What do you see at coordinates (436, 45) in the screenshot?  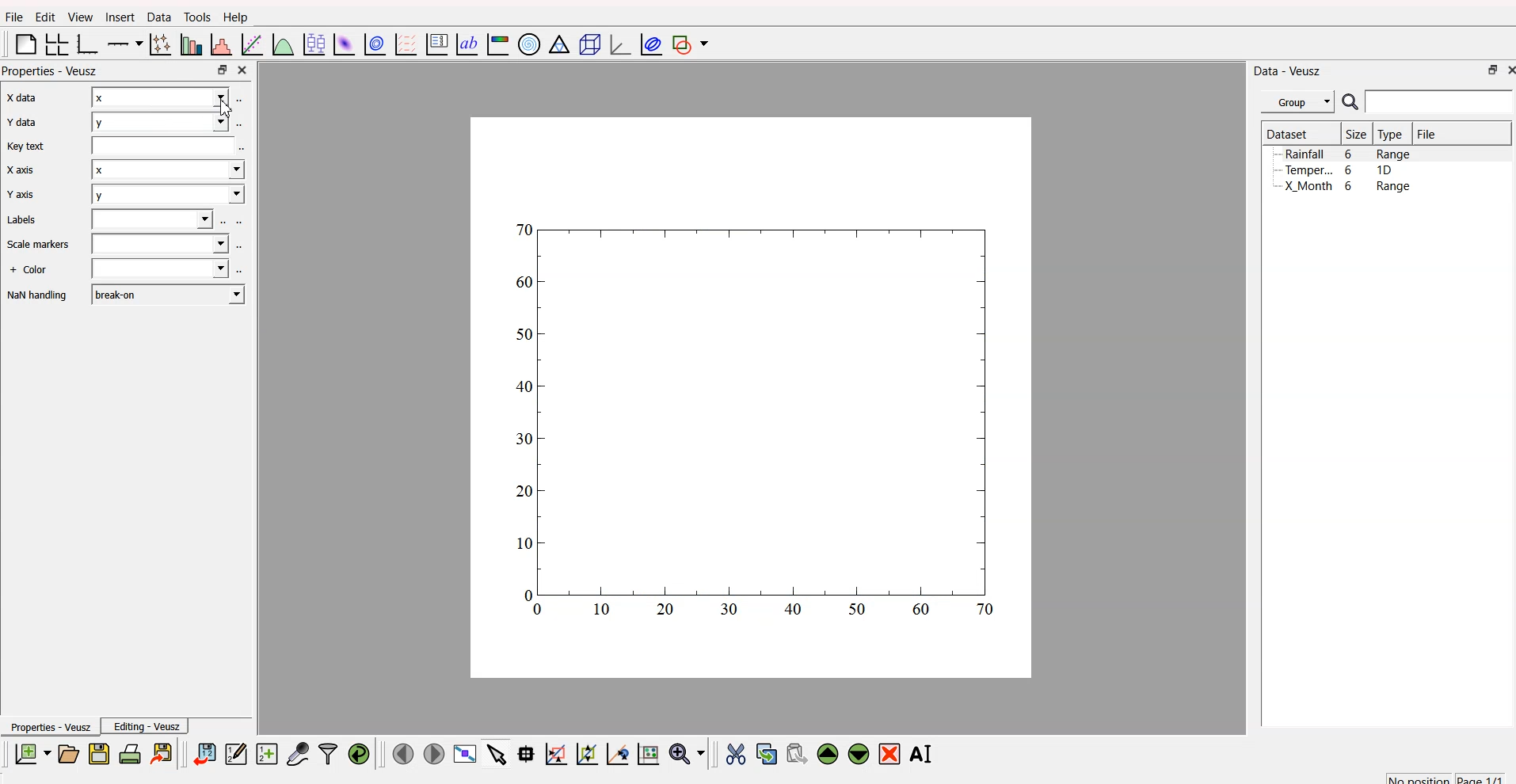 I see `plot key` at bounding box center [436, 45].